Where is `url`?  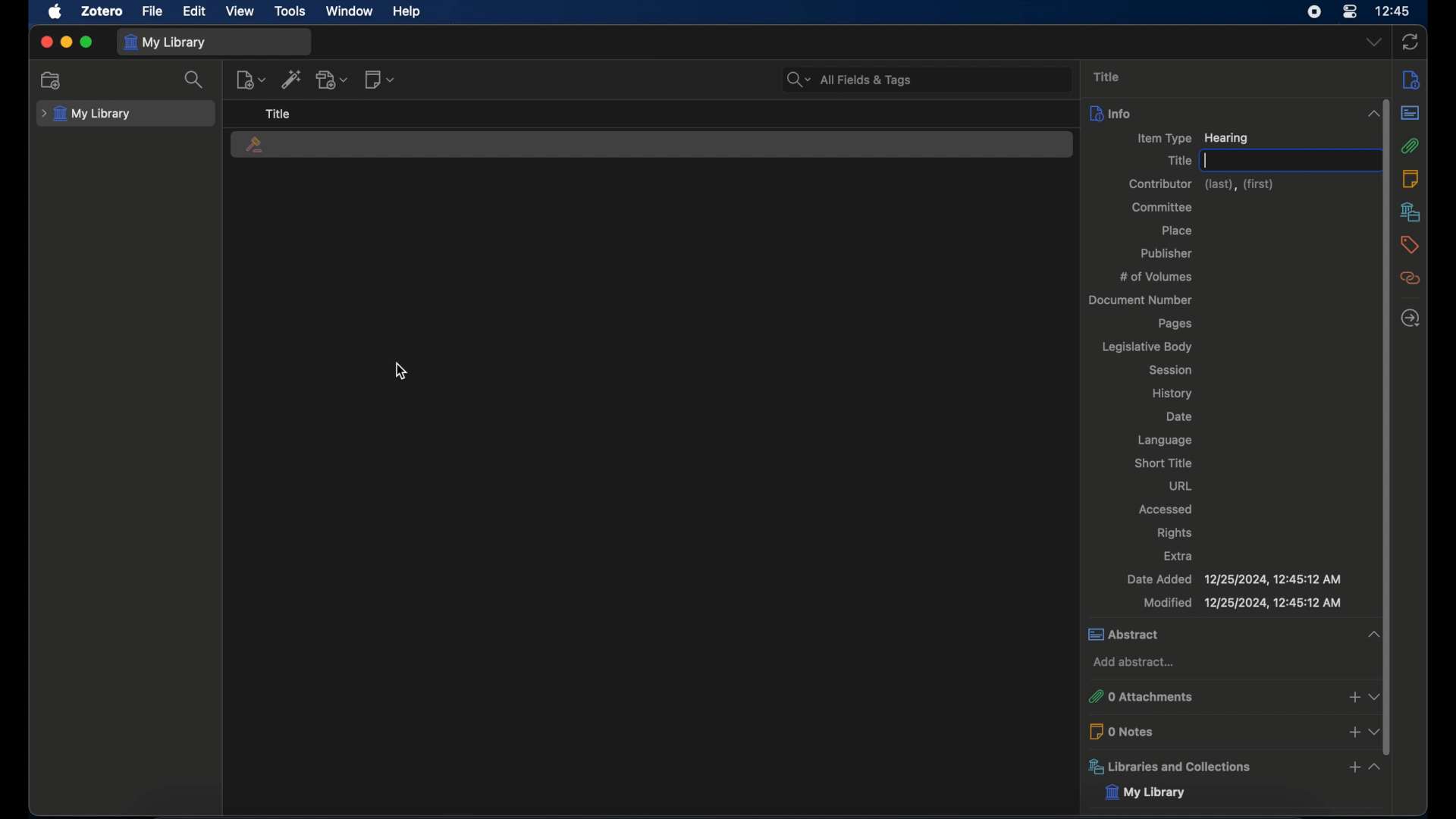
url is located at coordinates (1179, 485).